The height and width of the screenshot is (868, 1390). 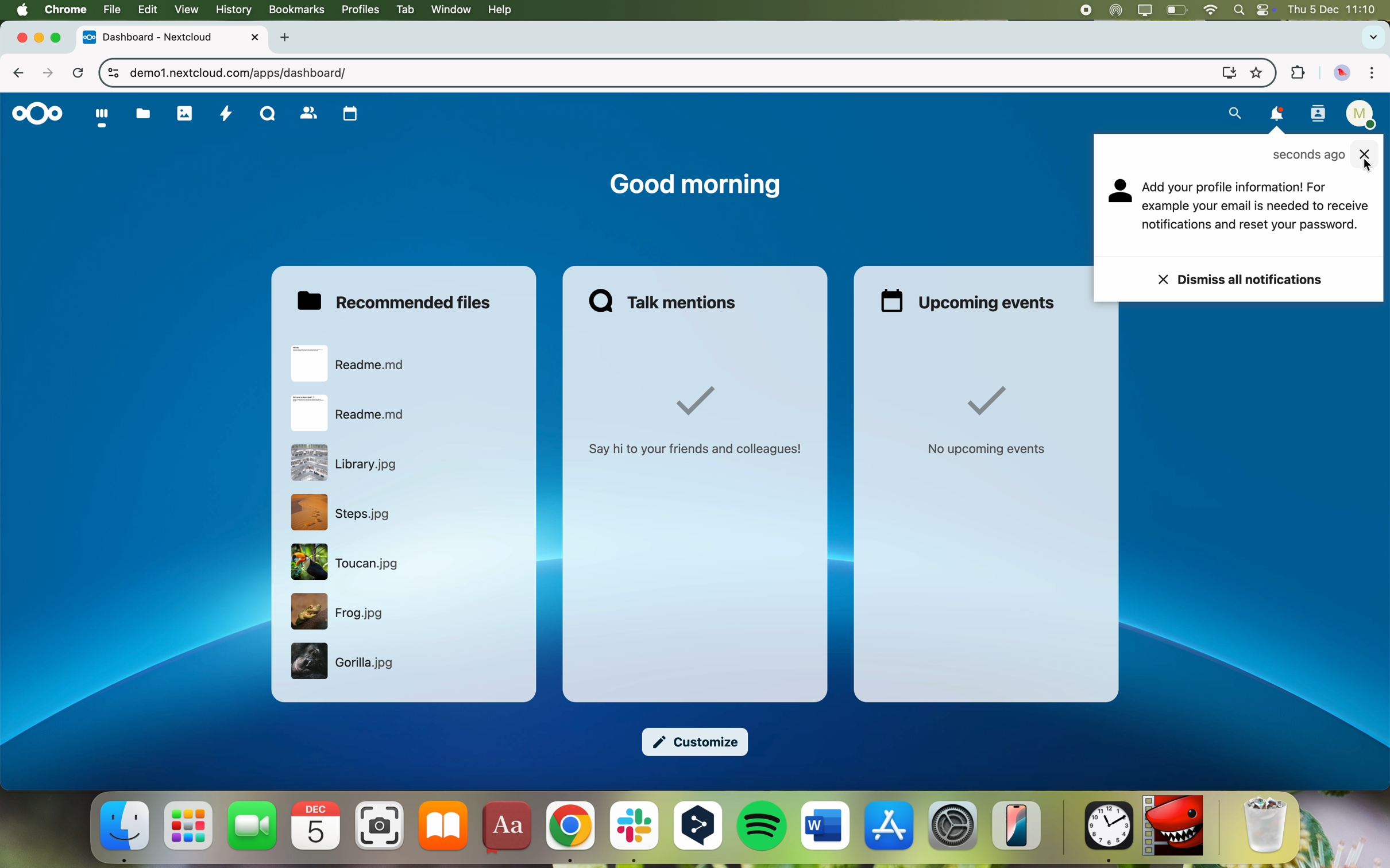 What do you see at coordinates (698, 421) in the screenshot?
I see `say hi` at bounding box center [698, 421].